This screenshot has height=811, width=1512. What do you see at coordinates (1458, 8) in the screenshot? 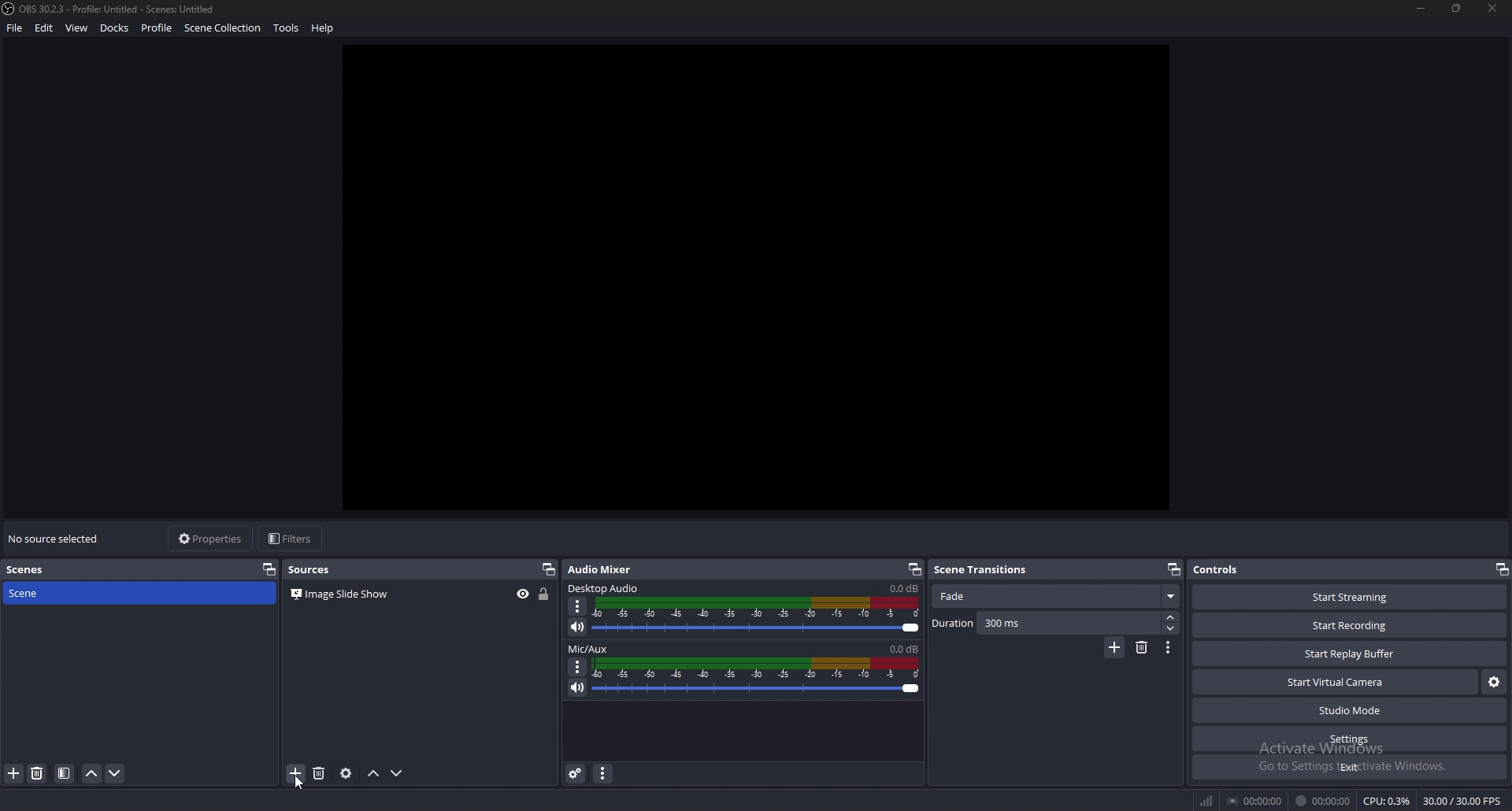
I see `resize` at bounding box center [1458, 8].